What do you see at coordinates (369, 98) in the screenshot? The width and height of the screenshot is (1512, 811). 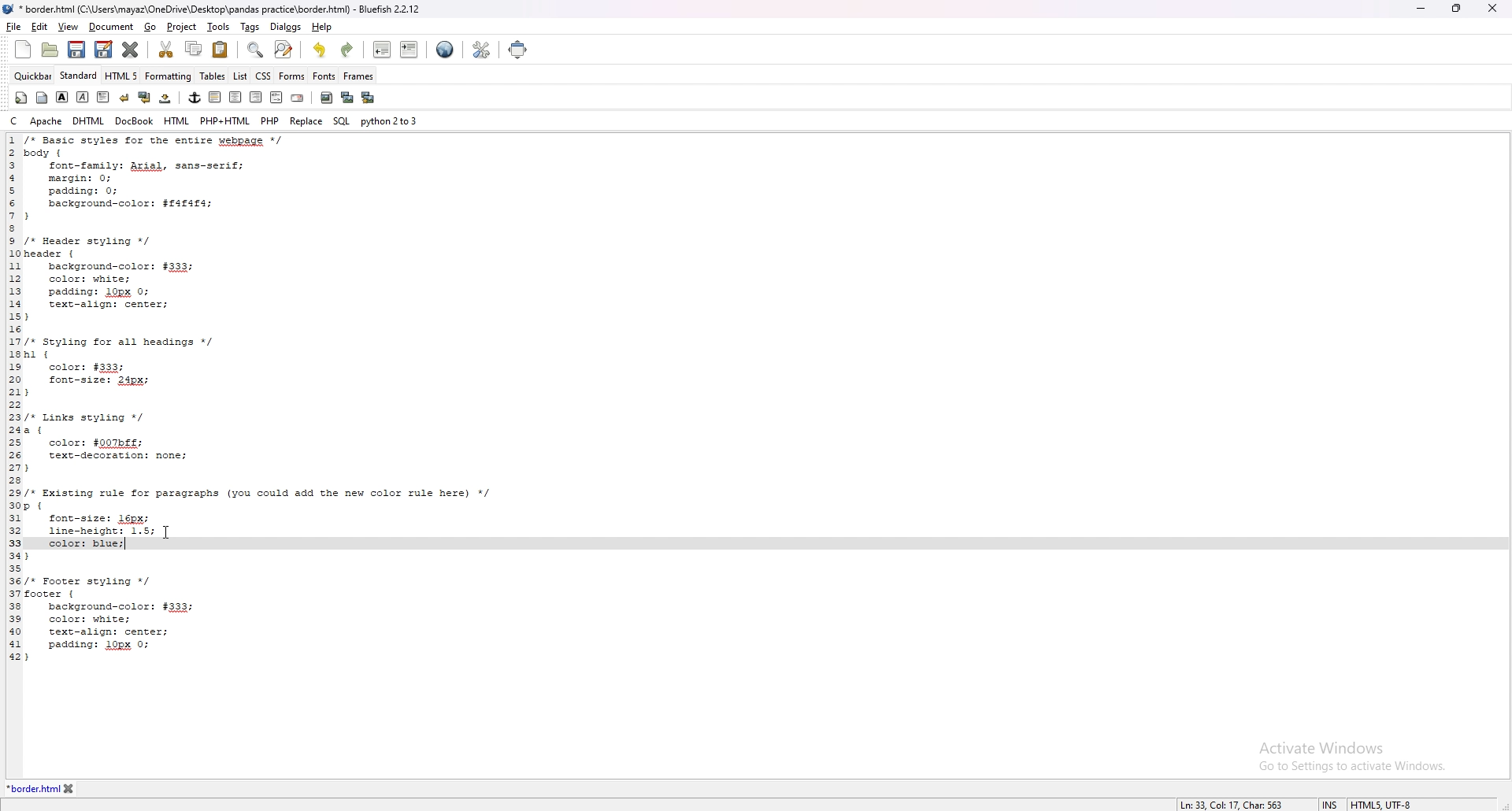 I see `multi thumbnail` at bounding box center [369, 98].